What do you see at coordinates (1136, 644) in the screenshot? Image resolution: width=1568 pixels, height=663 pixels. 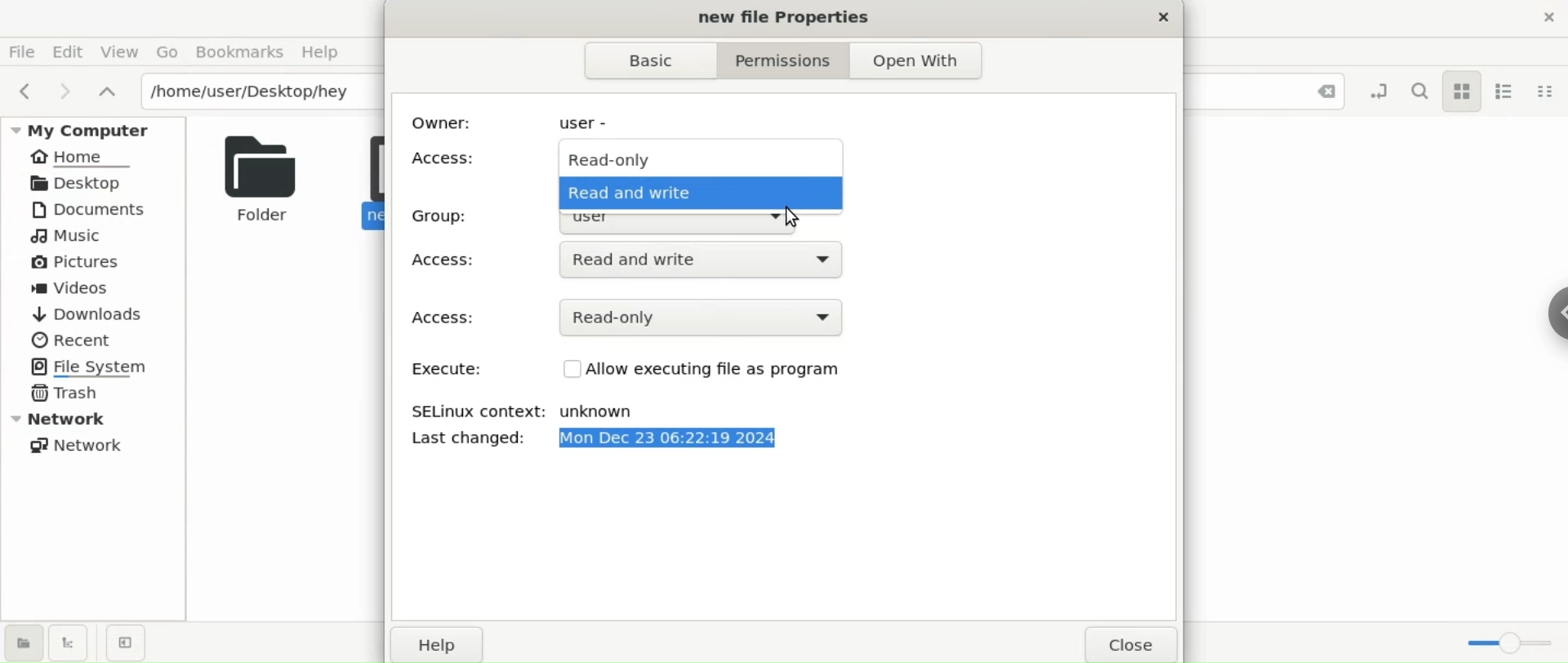 I see `close` at bounding box center [1136, 644].